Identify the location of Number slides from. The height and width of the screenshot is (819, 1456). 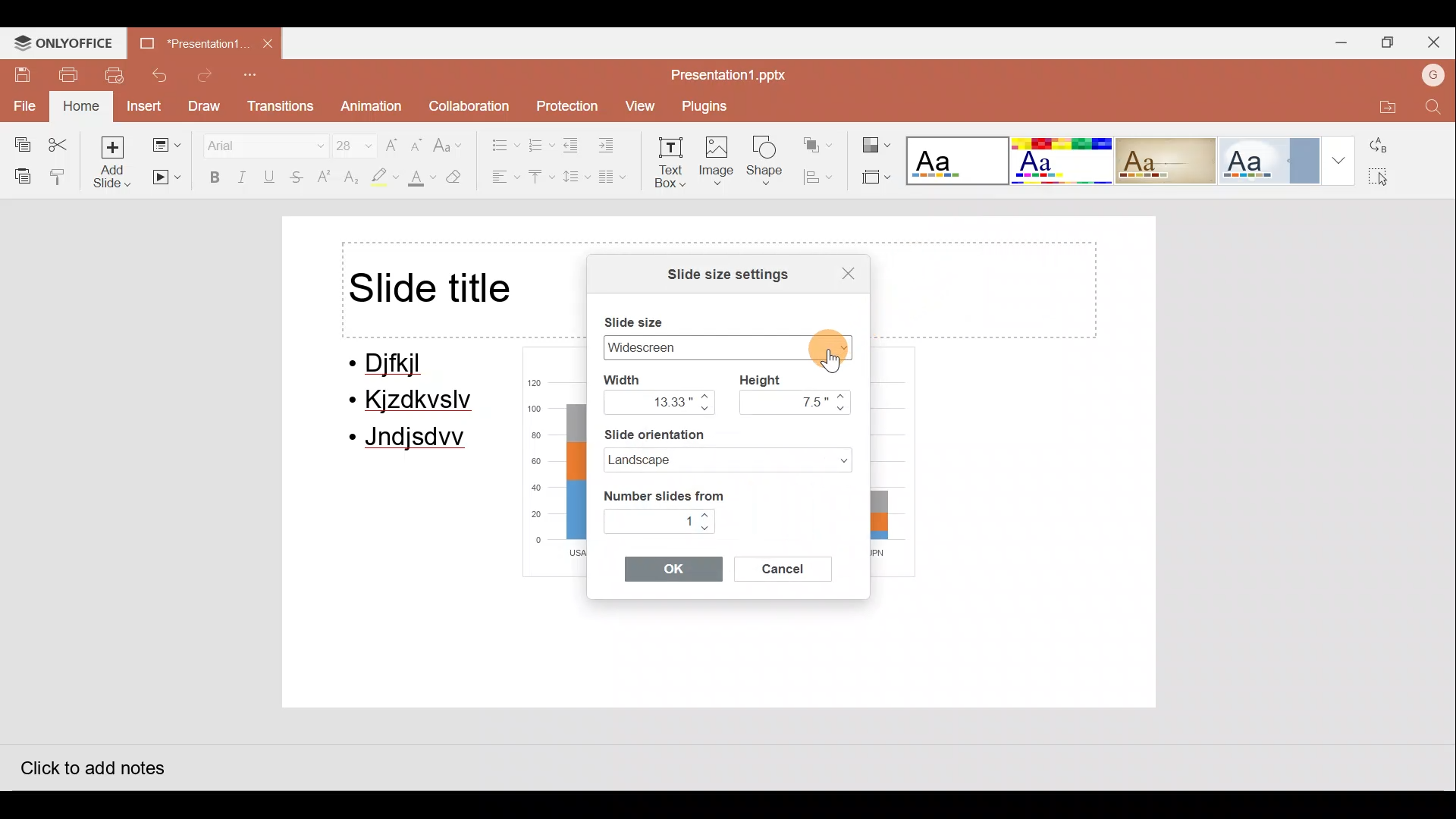
(662, 493).